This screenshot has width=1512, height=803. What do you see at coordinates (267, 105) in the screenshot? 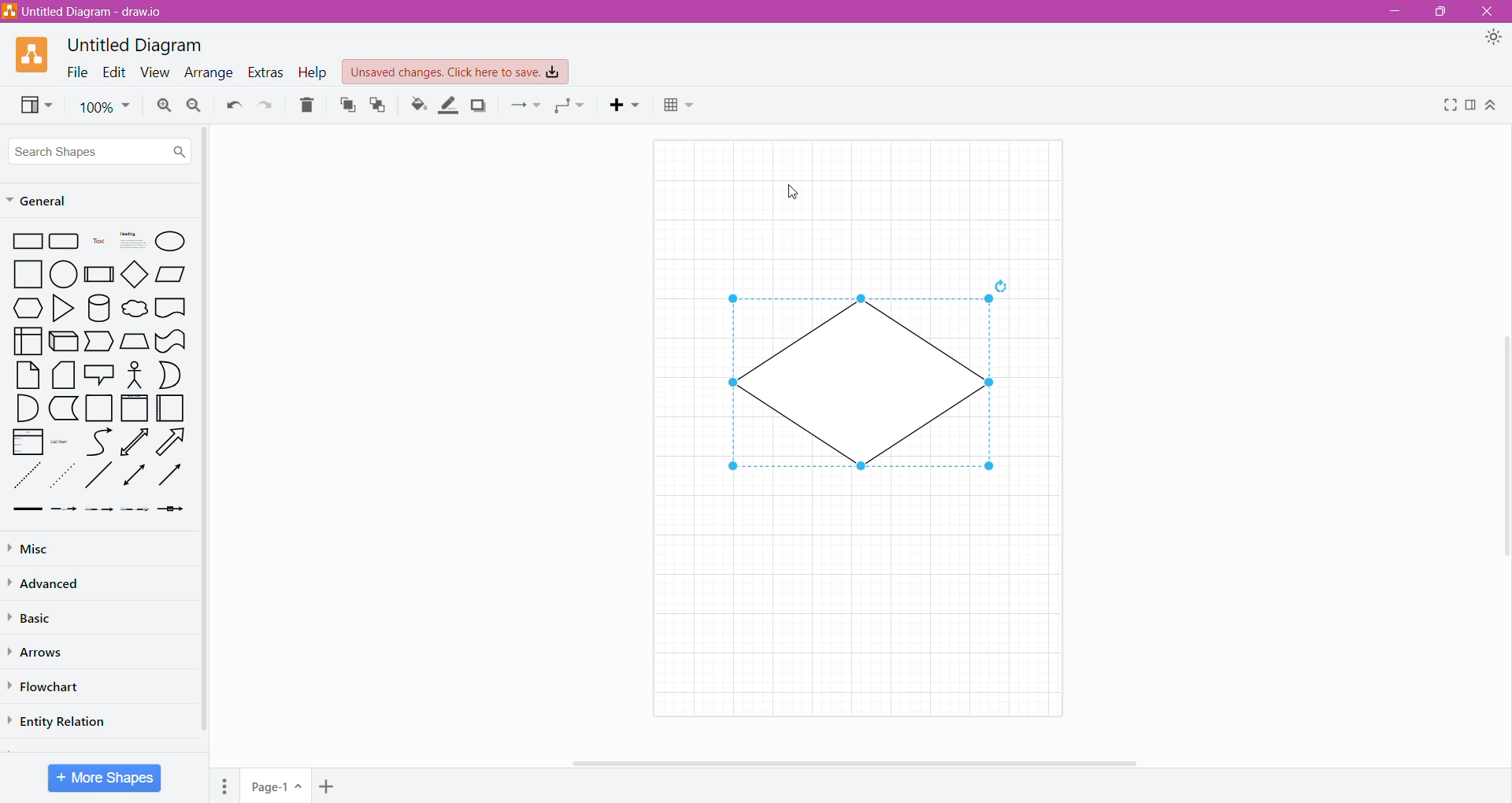
I see `Redo` at bounding box center [267, 105].